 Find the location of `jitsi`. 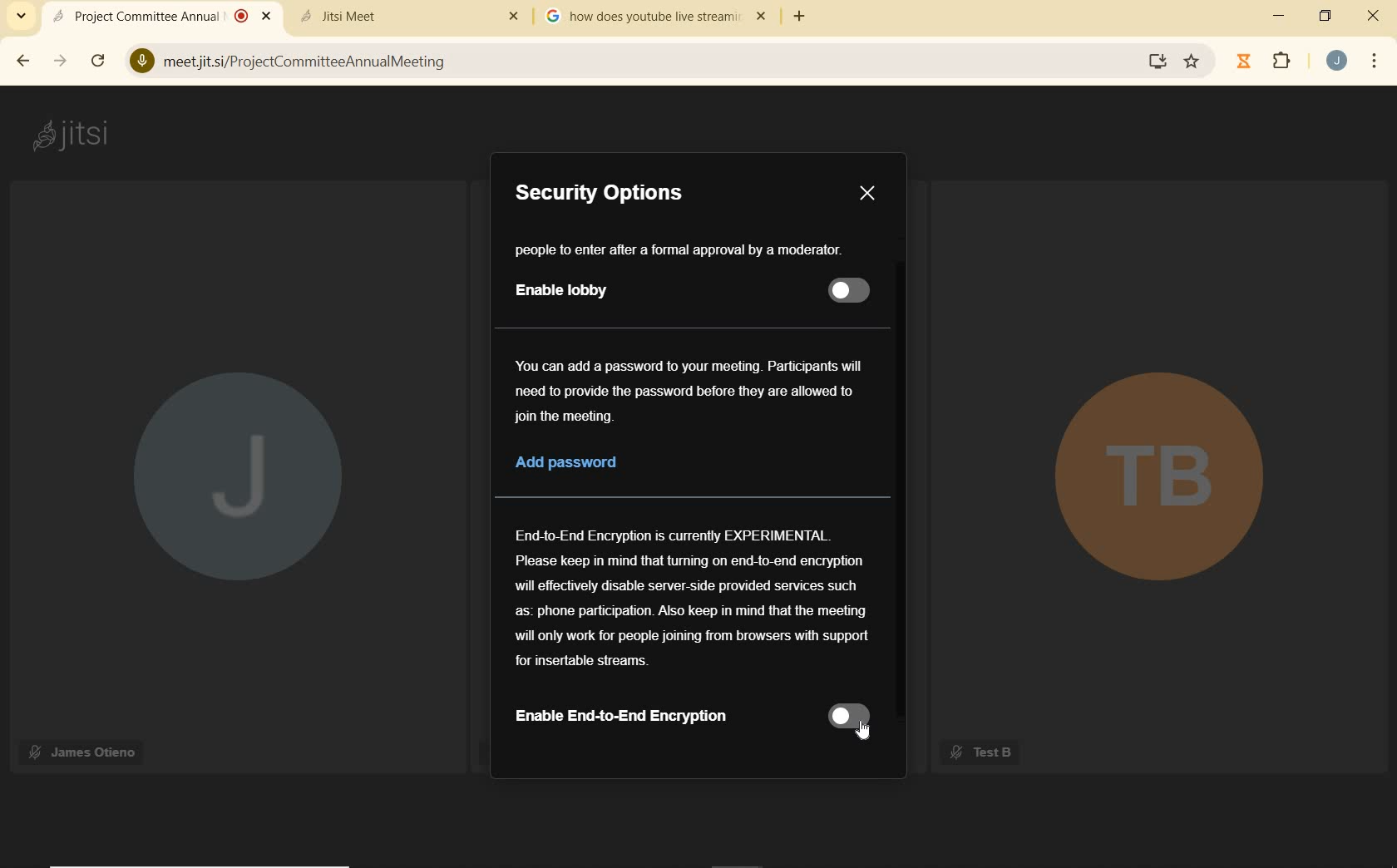

jitsi is located at coordinates (77, 136).